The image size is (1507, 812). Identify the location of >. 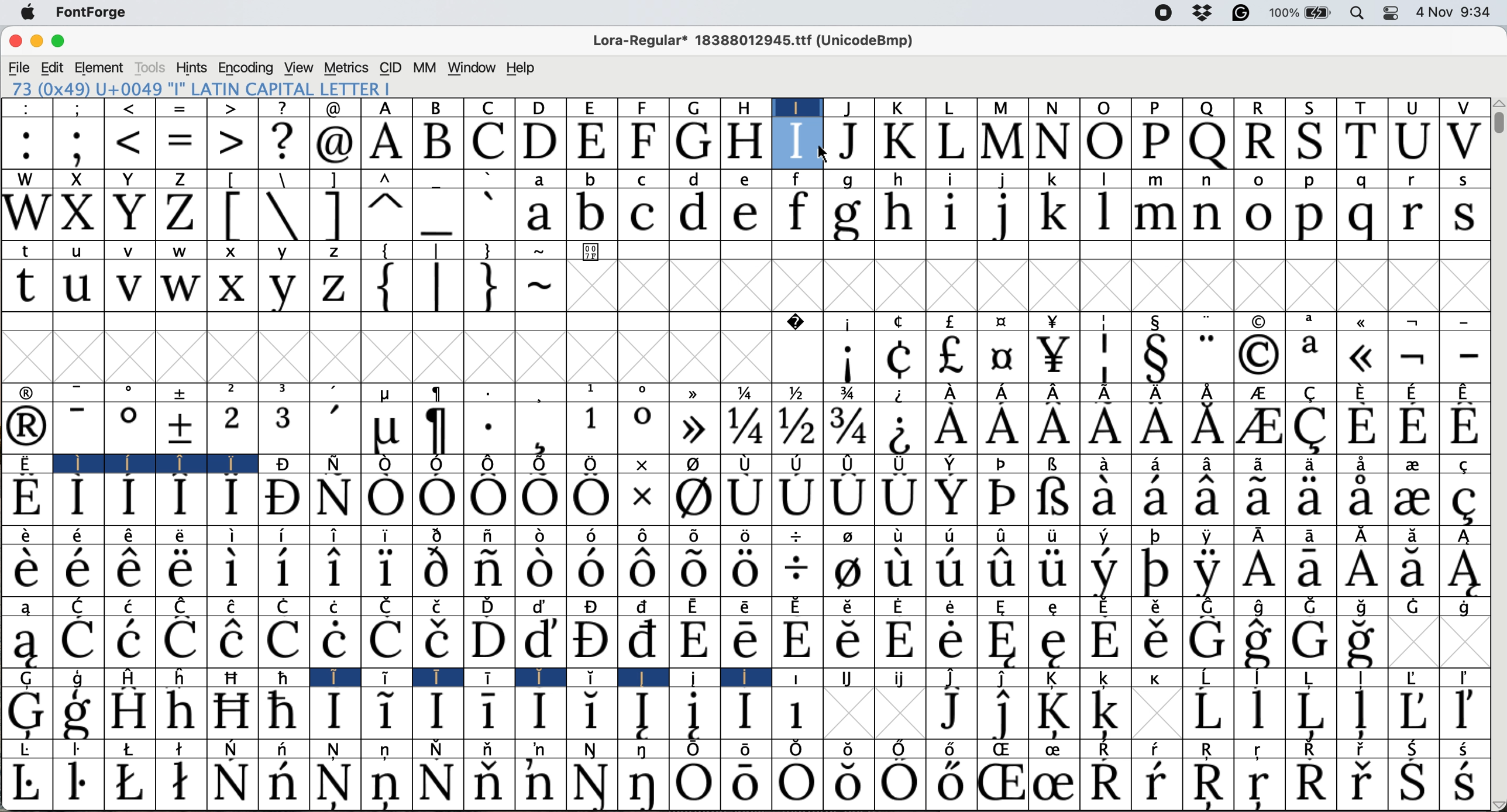
(229, 109).